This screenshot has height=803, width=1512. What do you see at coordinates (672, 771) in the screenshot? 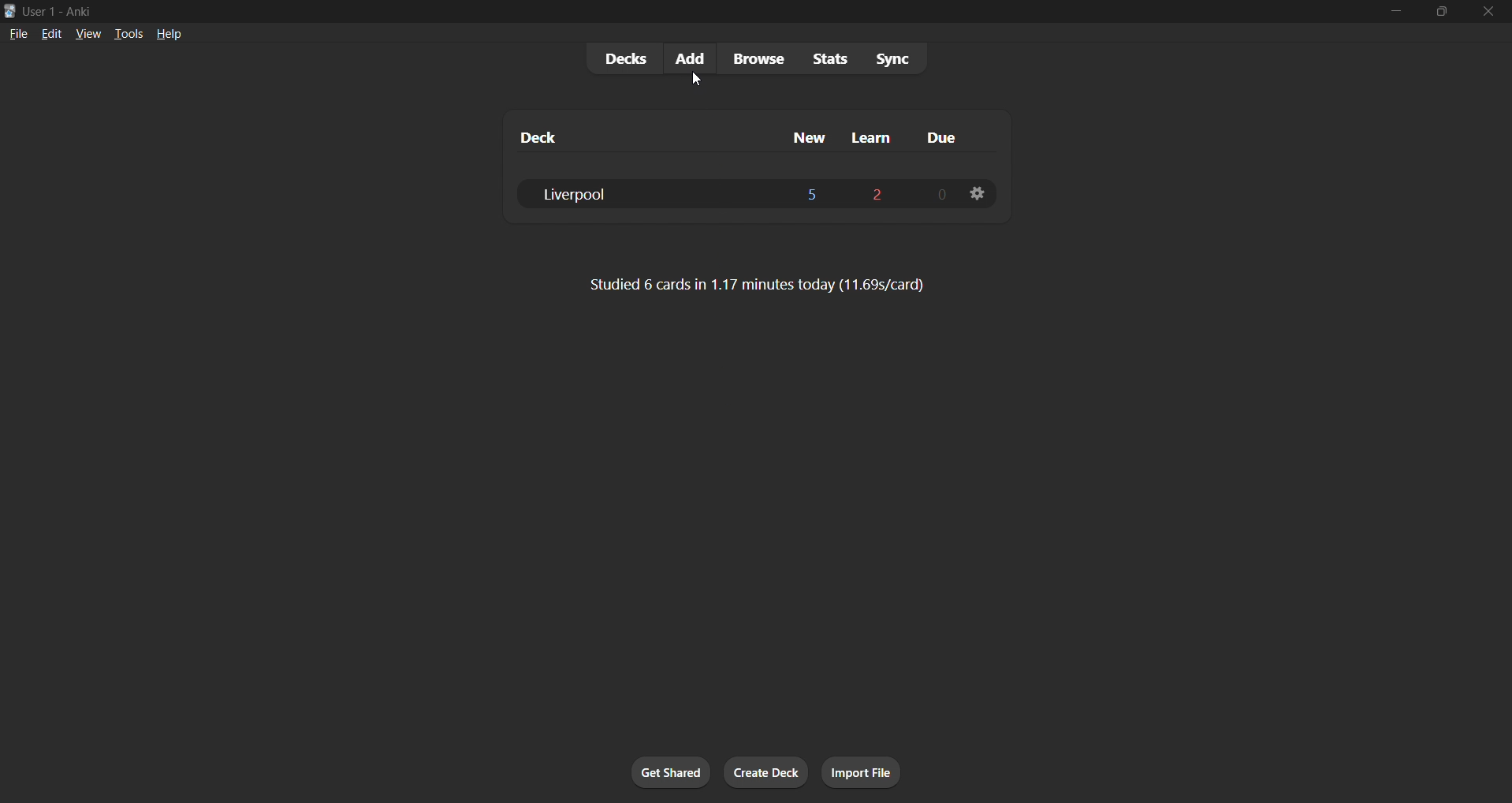
I see `get shared` at bounding box center [672, 771].